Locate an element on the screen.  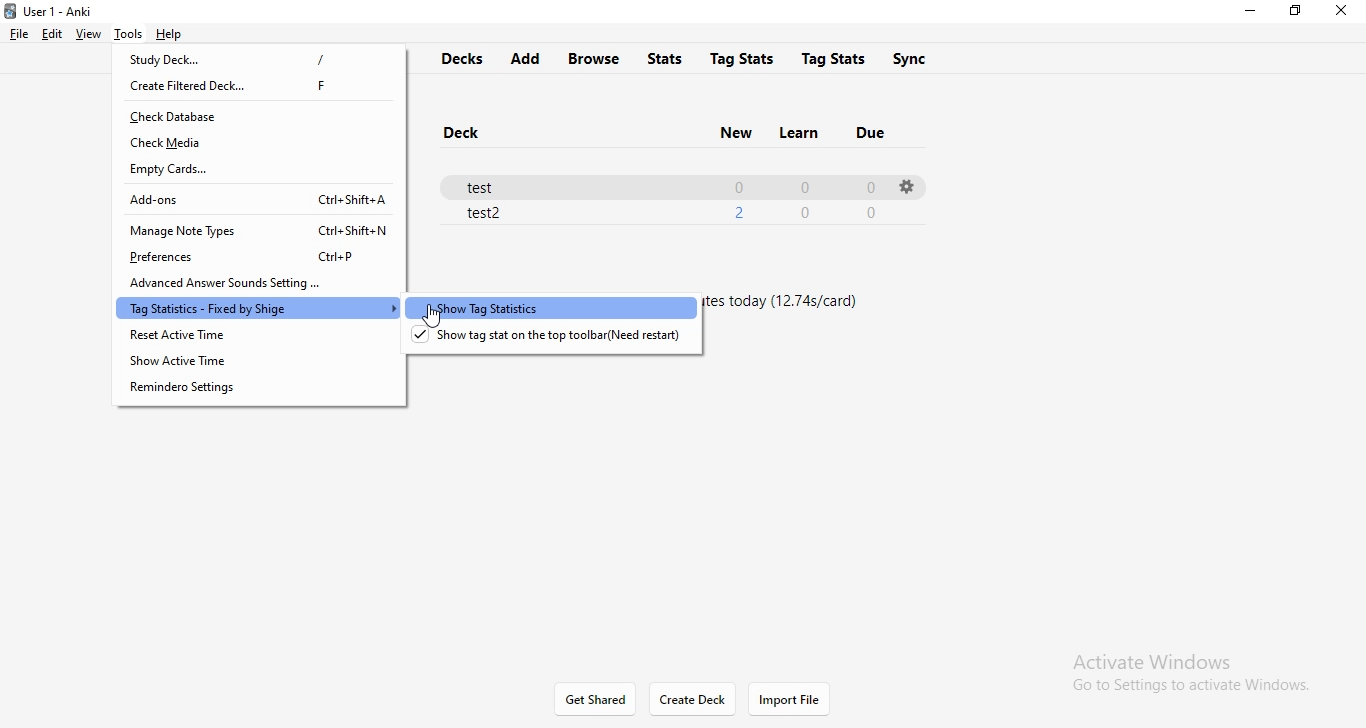
help is located at coordinates (172, 35).